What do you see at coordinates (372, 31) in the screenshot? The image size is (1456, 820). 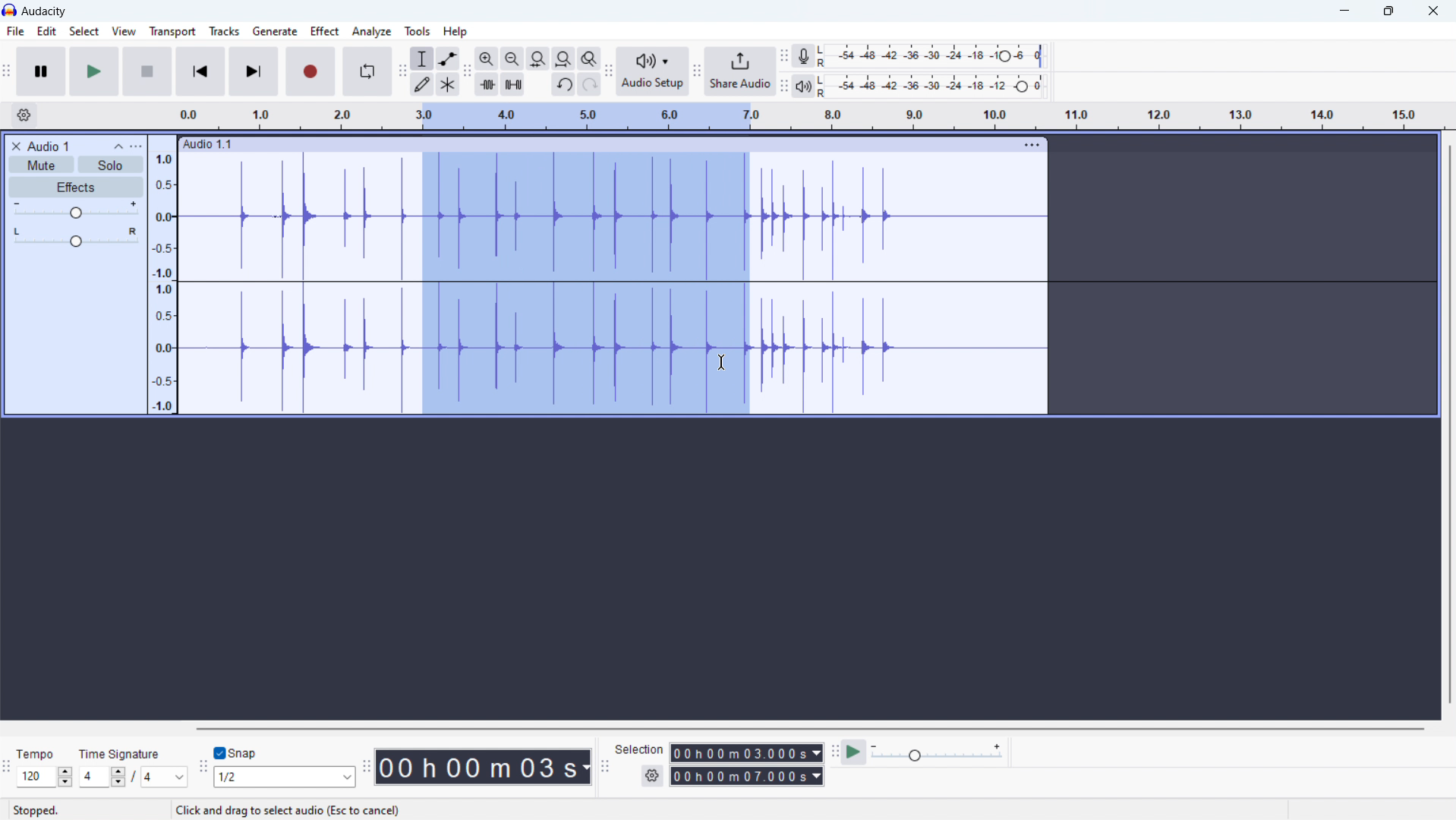 I see `analyze` at bounding box center [372, 31].